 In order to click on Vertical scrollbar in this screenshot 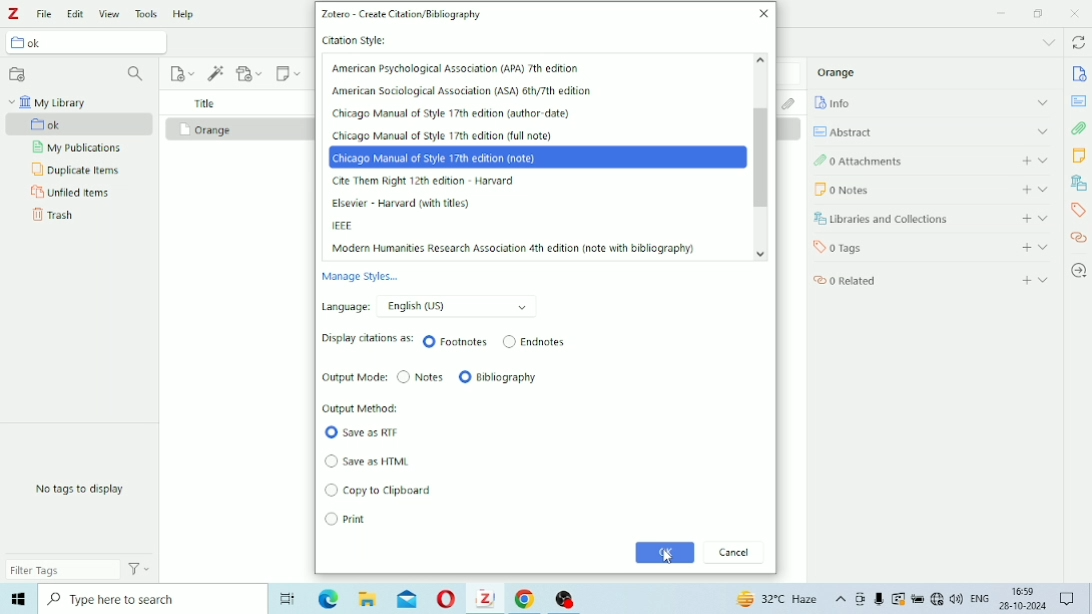, I will do `click(760, 161)`.